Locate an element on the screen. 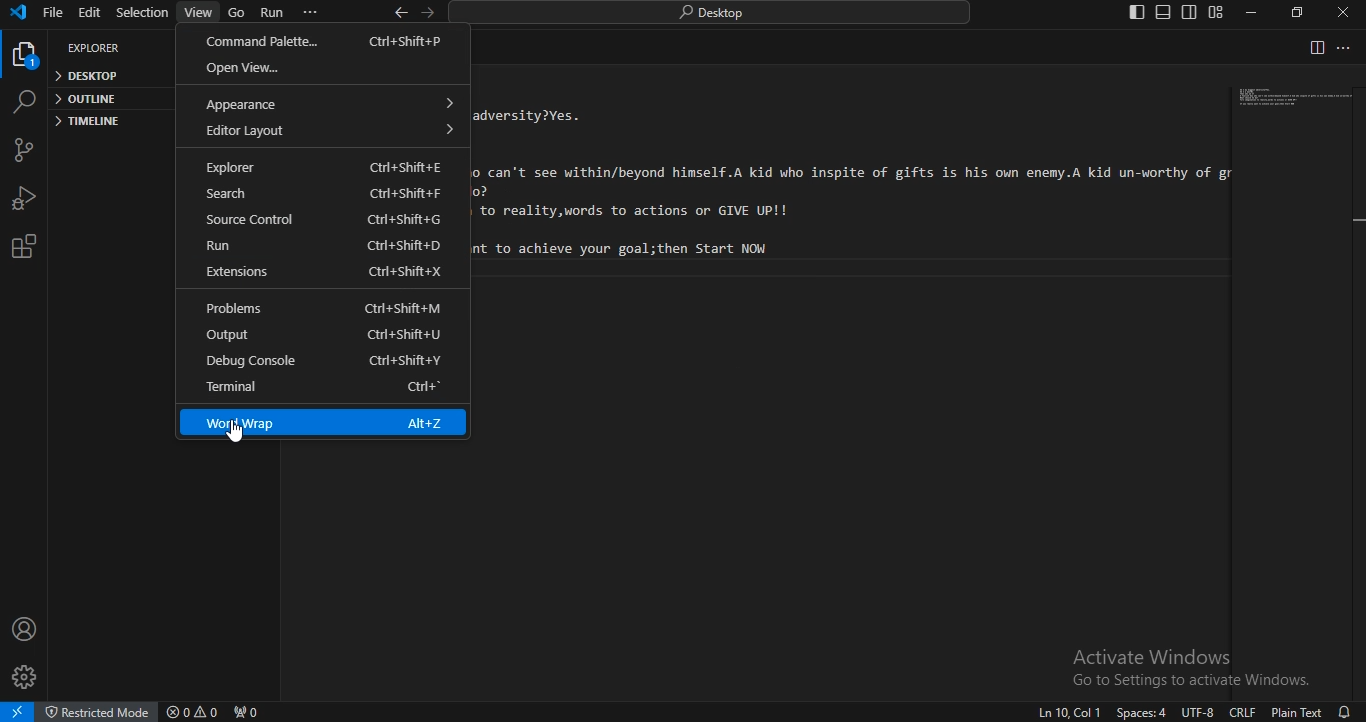 The width and height of the screenshot is (1366, 722). restricted mode is located at coordinates (96, 711).